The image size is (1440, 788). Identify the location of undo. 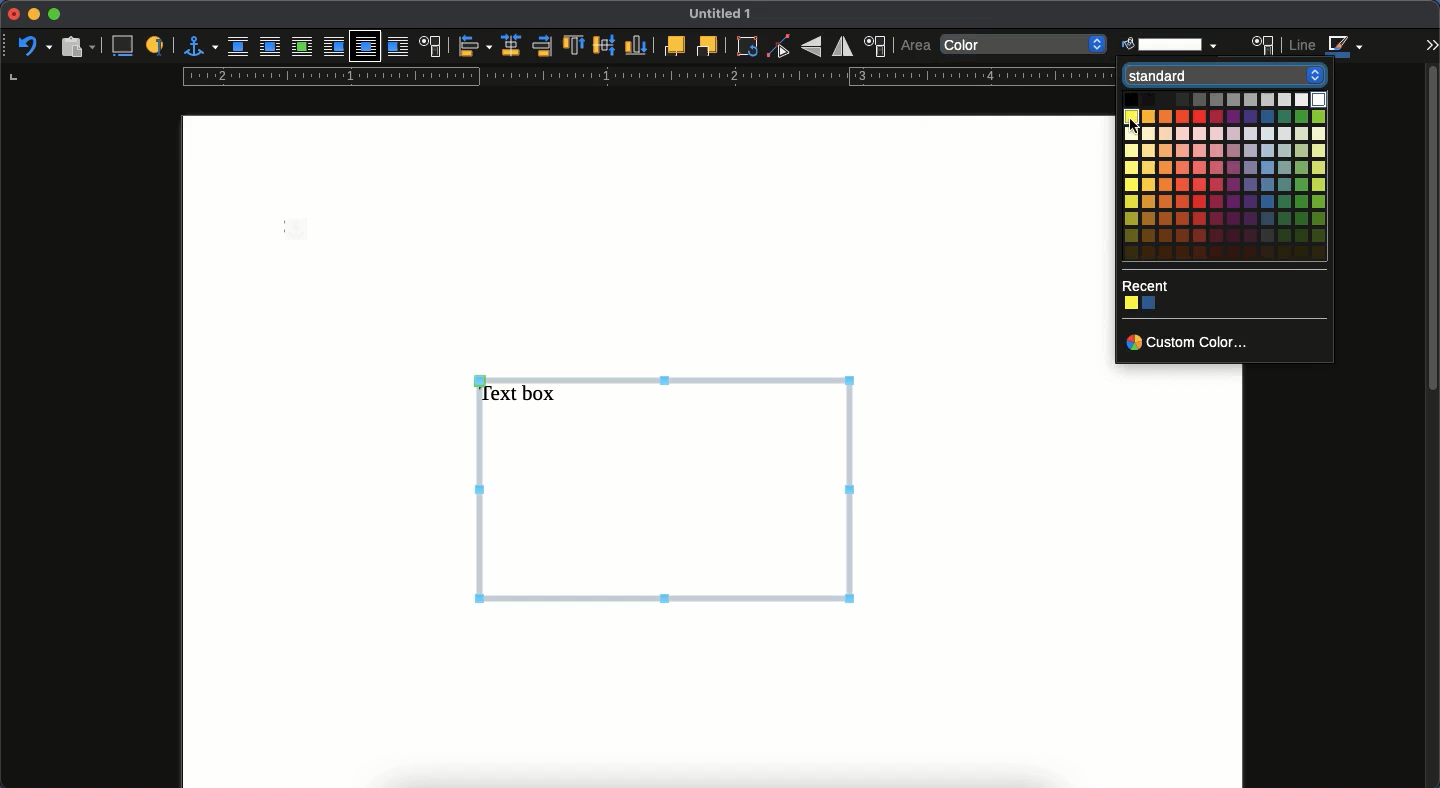
(34, 45).